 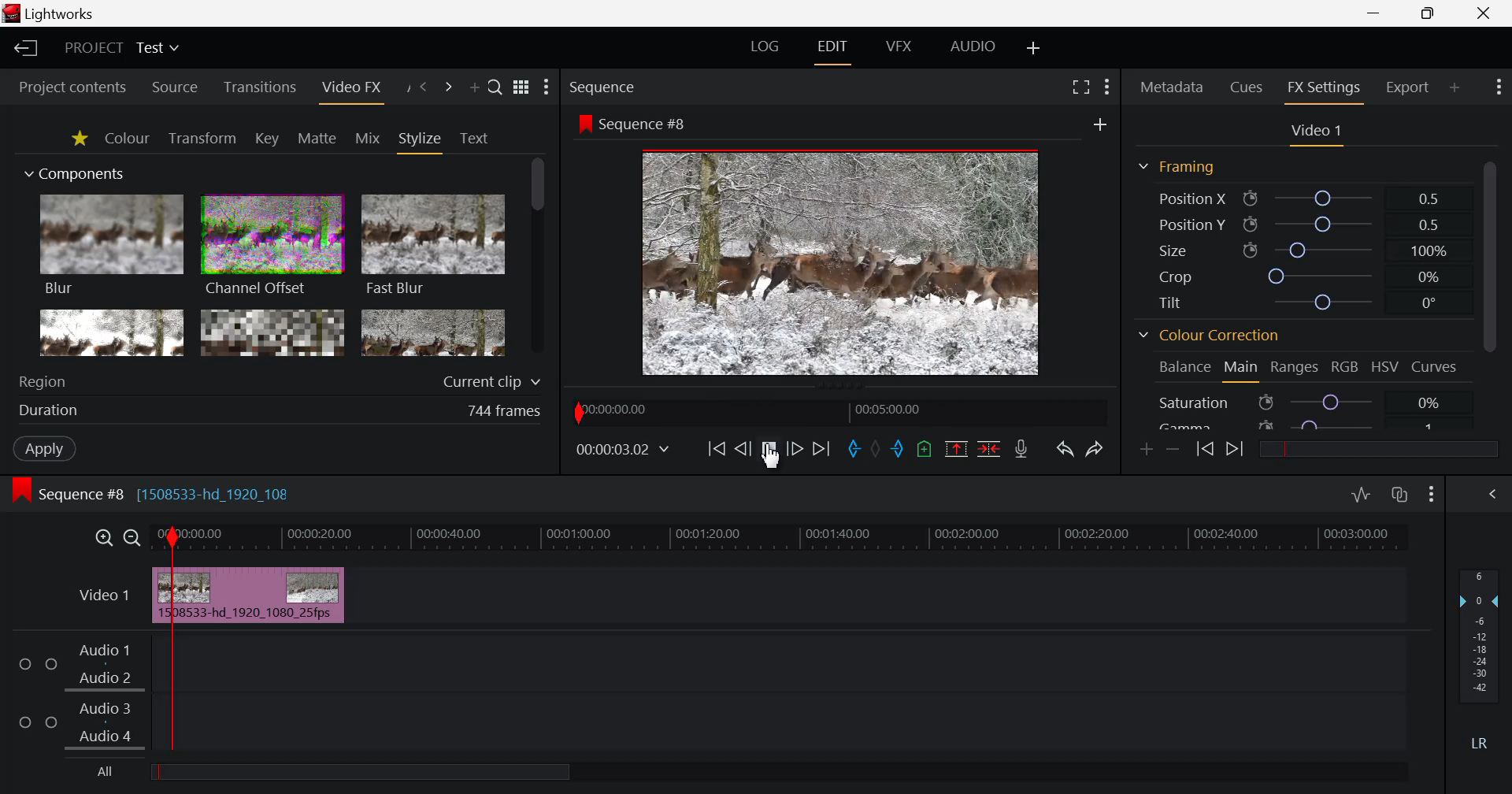 What do you see at coordinates (434, 247) in the screenshot?
I see `Fast Blur` at bounding box center [434, 247].